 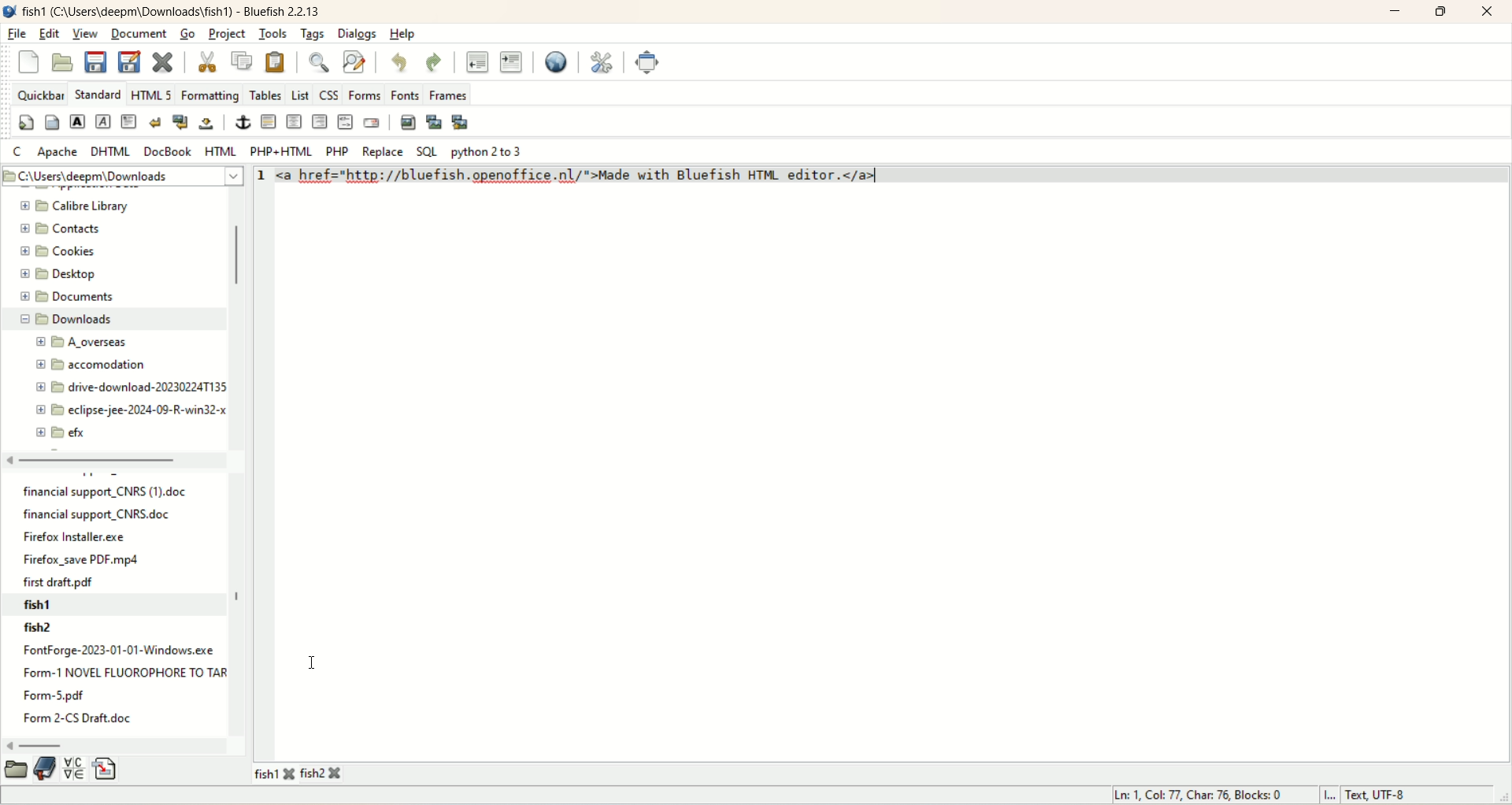 What do you see at coordinates (275, 773) in the screenshot?
I see `file1` at bounding box center [275, 773].